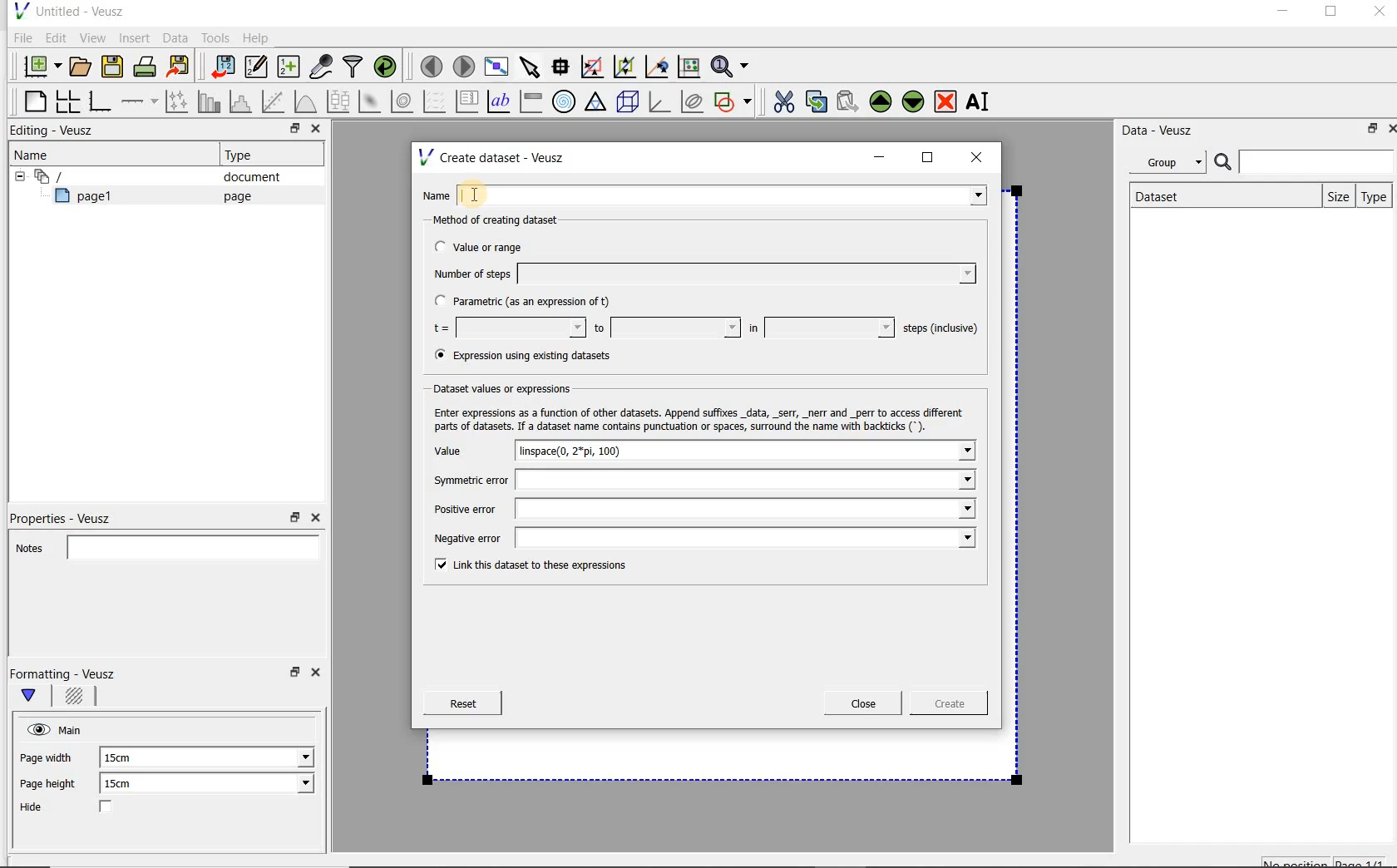 This screenshot has height=868, width=1397. I want to click on base graph, so click(99, 102).